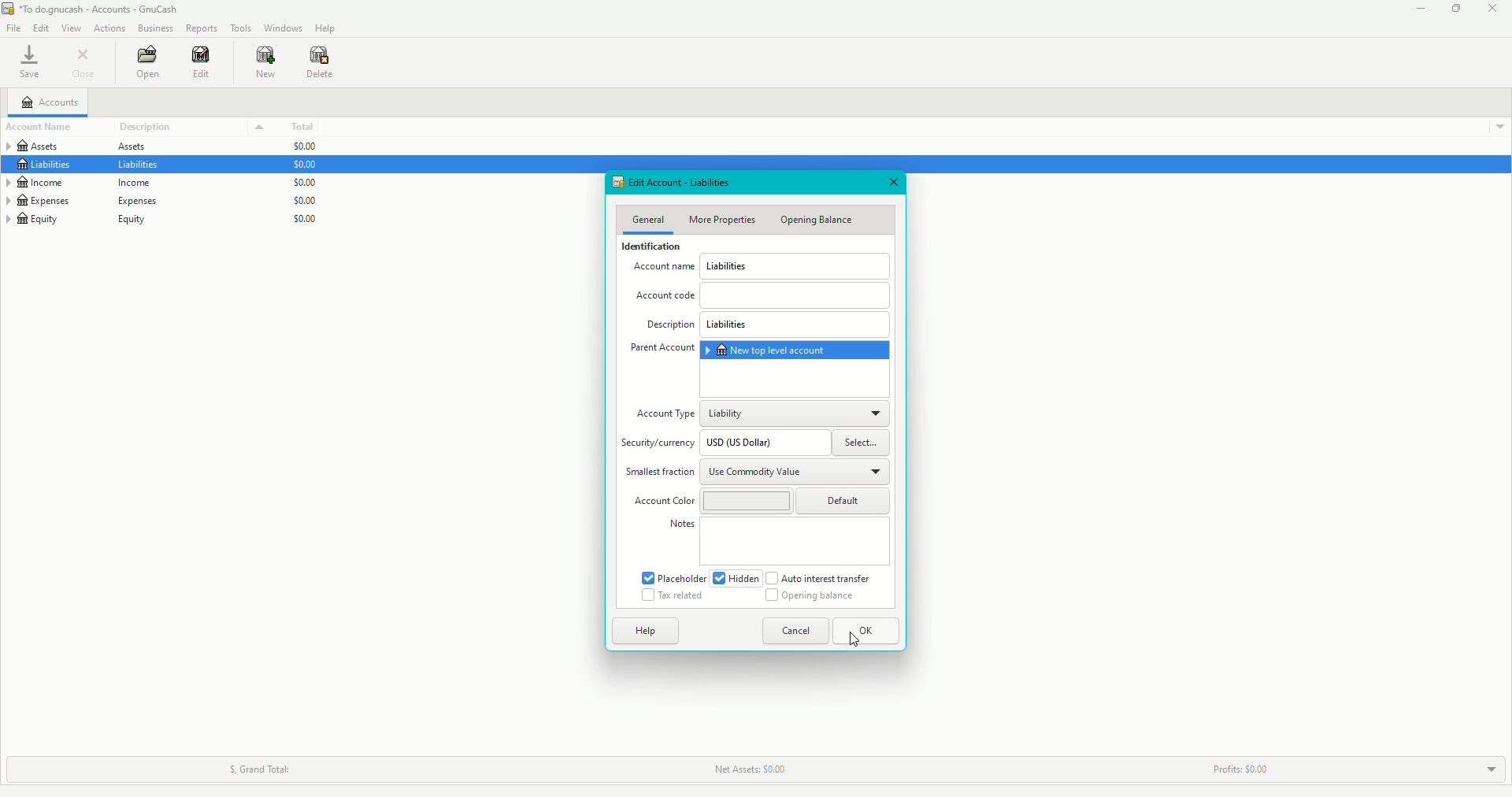 This screenshot has width=1512, height=797. Describe the element at coordinates (739, 580) in the screenshot. I see `Hidden` at that location.